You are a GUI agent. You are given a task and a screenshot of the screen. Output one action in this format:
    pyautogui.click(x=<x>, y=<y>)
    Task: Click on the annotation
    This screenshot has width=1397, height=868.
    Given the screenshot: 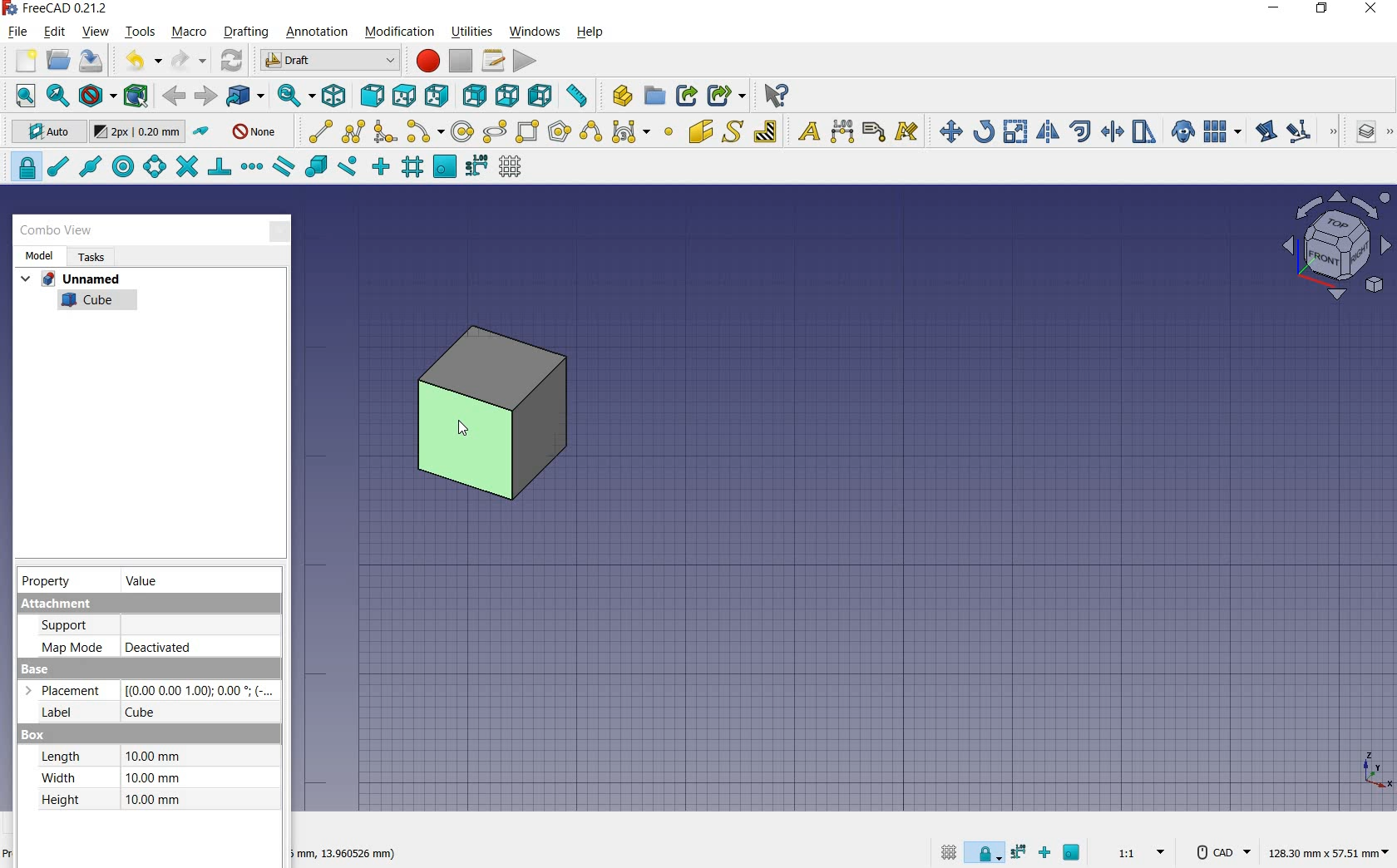 What is the action you would take?
    pyautogui.click(x=319, y=32)
    